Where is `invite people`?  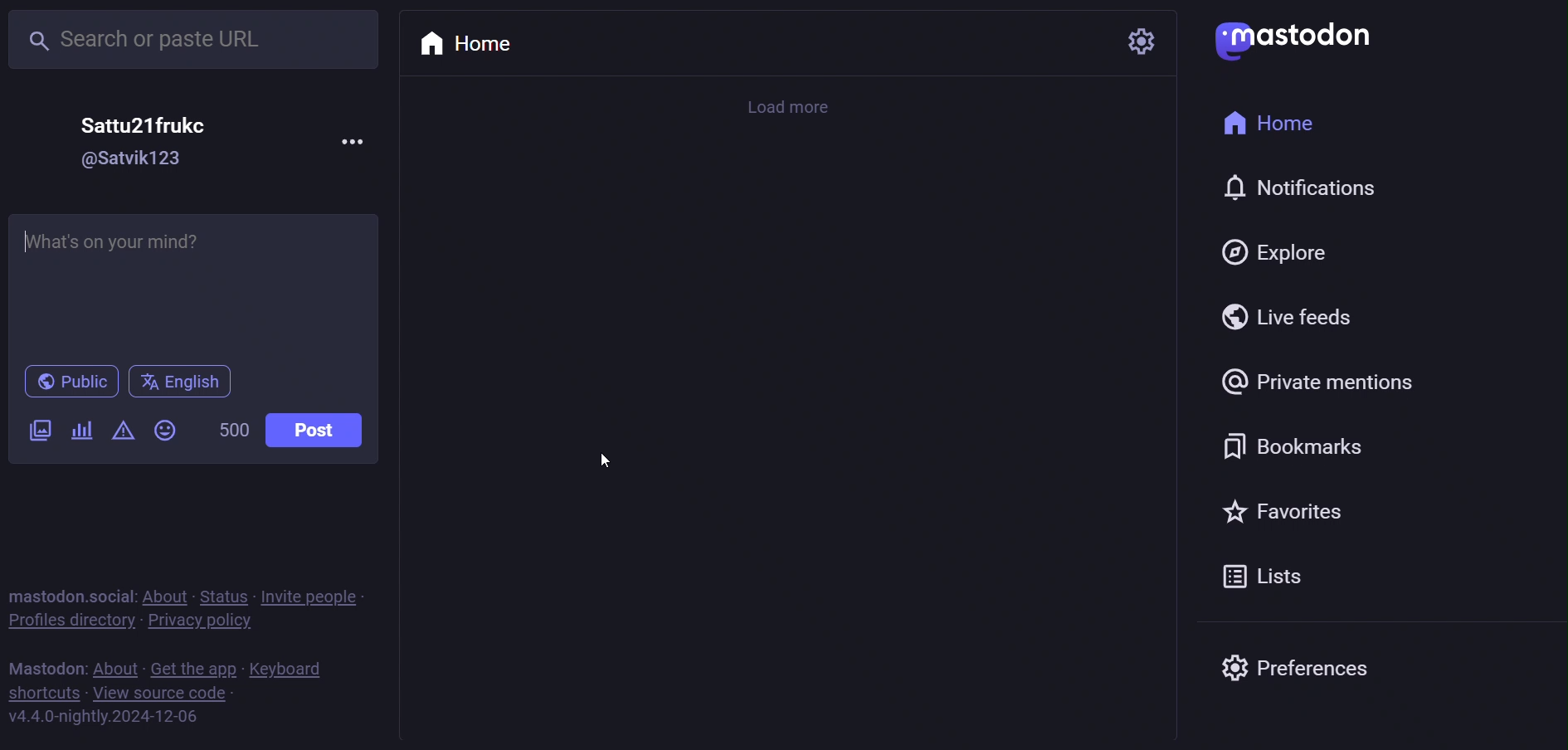
invite people is located at coordinates (312, 595).